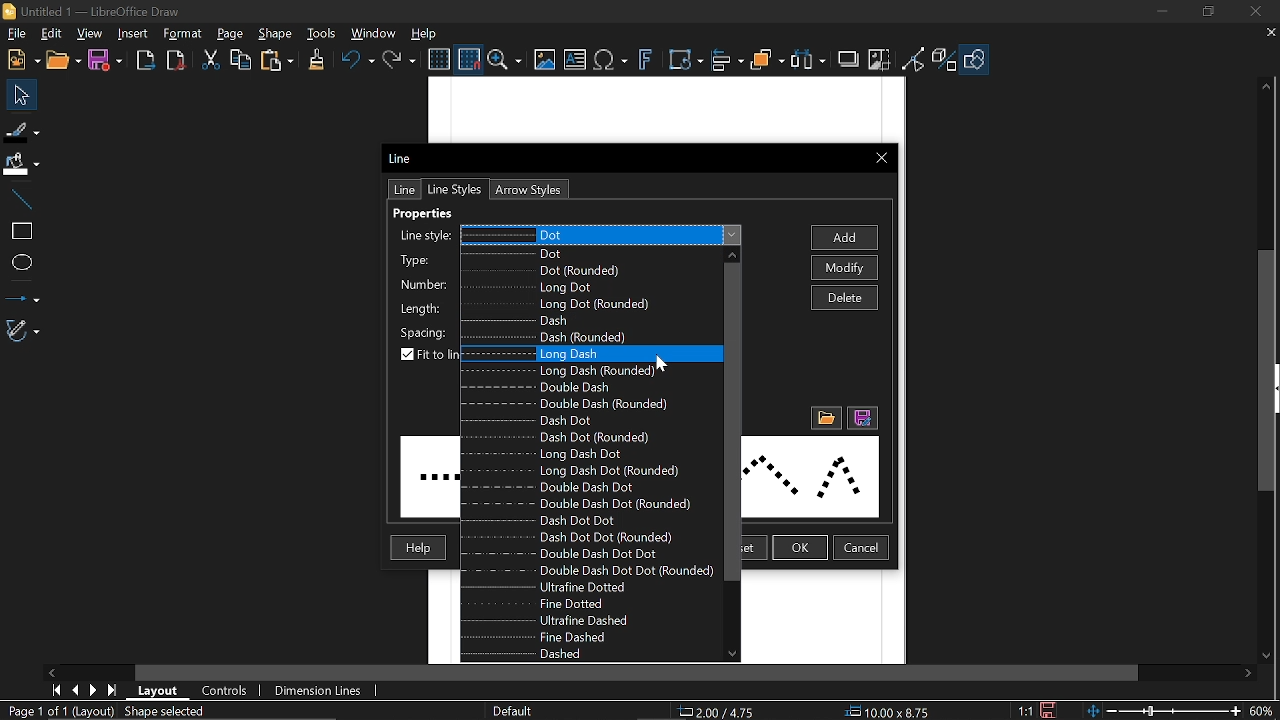 This screenshot has width=1280, height=720. I want to click on Modify, so click(847, 268).